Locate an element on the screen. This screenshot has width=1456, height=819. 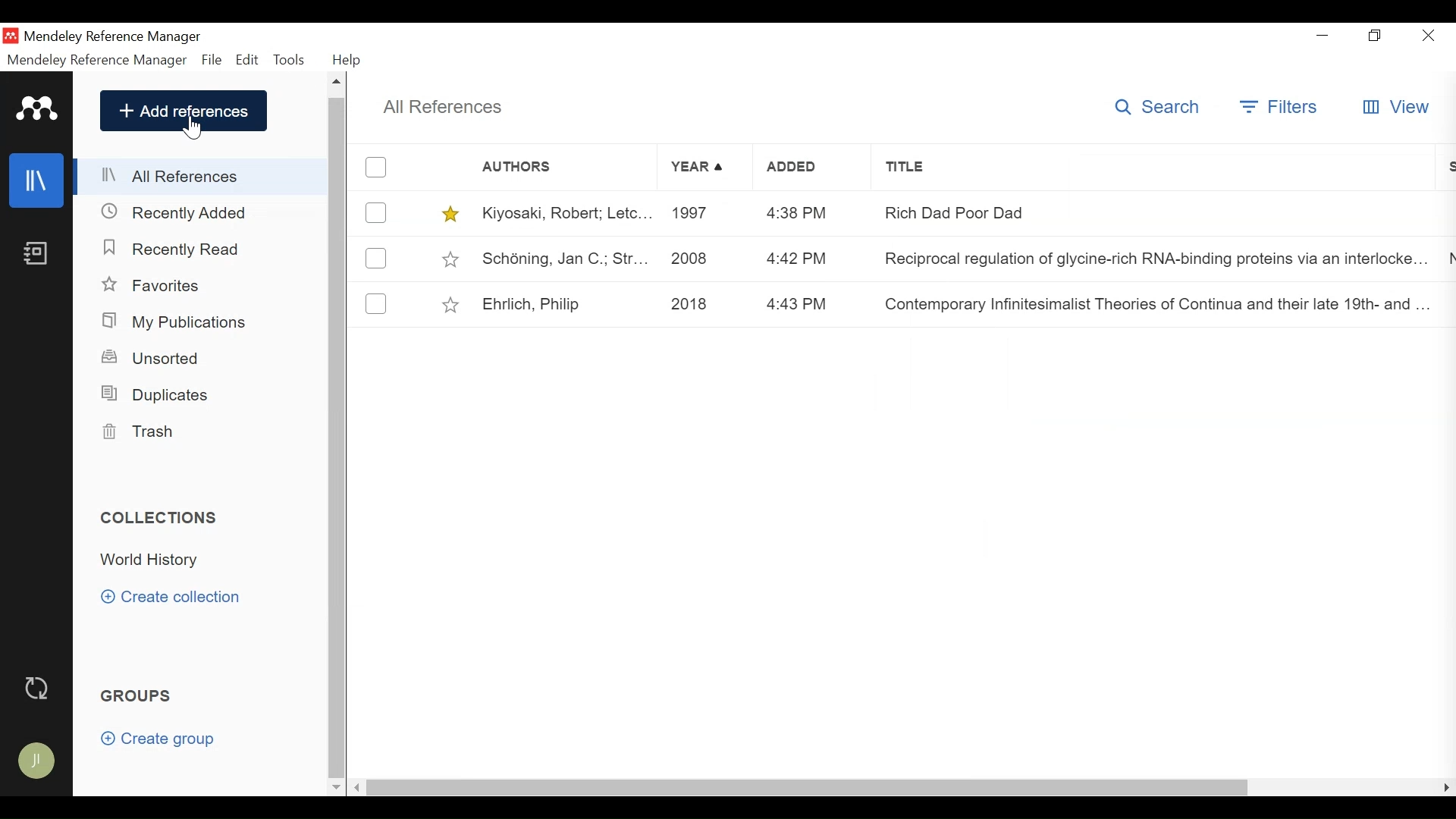
4:43 PM is located at coordinates (797, 301).